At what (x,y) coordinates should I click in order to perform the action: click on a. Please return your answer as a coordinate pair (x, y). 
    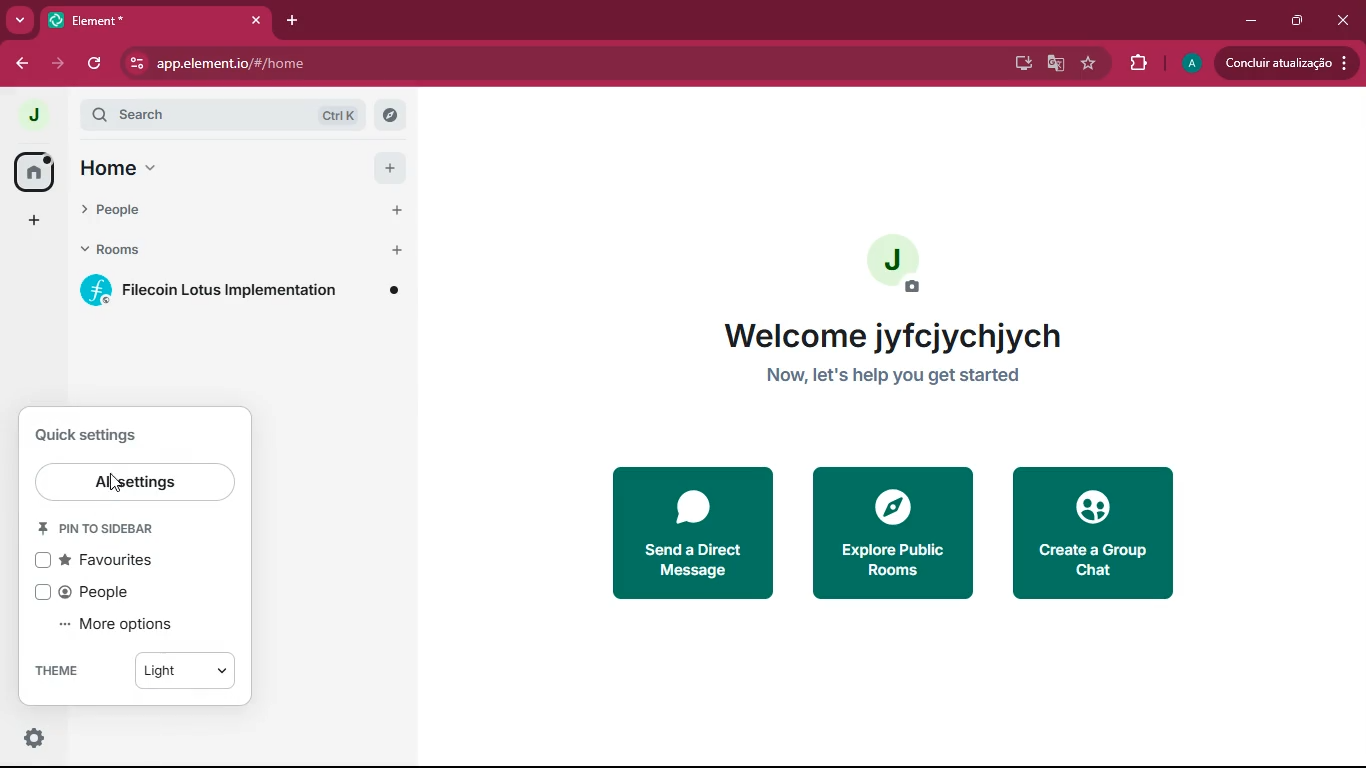
    Looking at the image, I should click on (1191, 63).